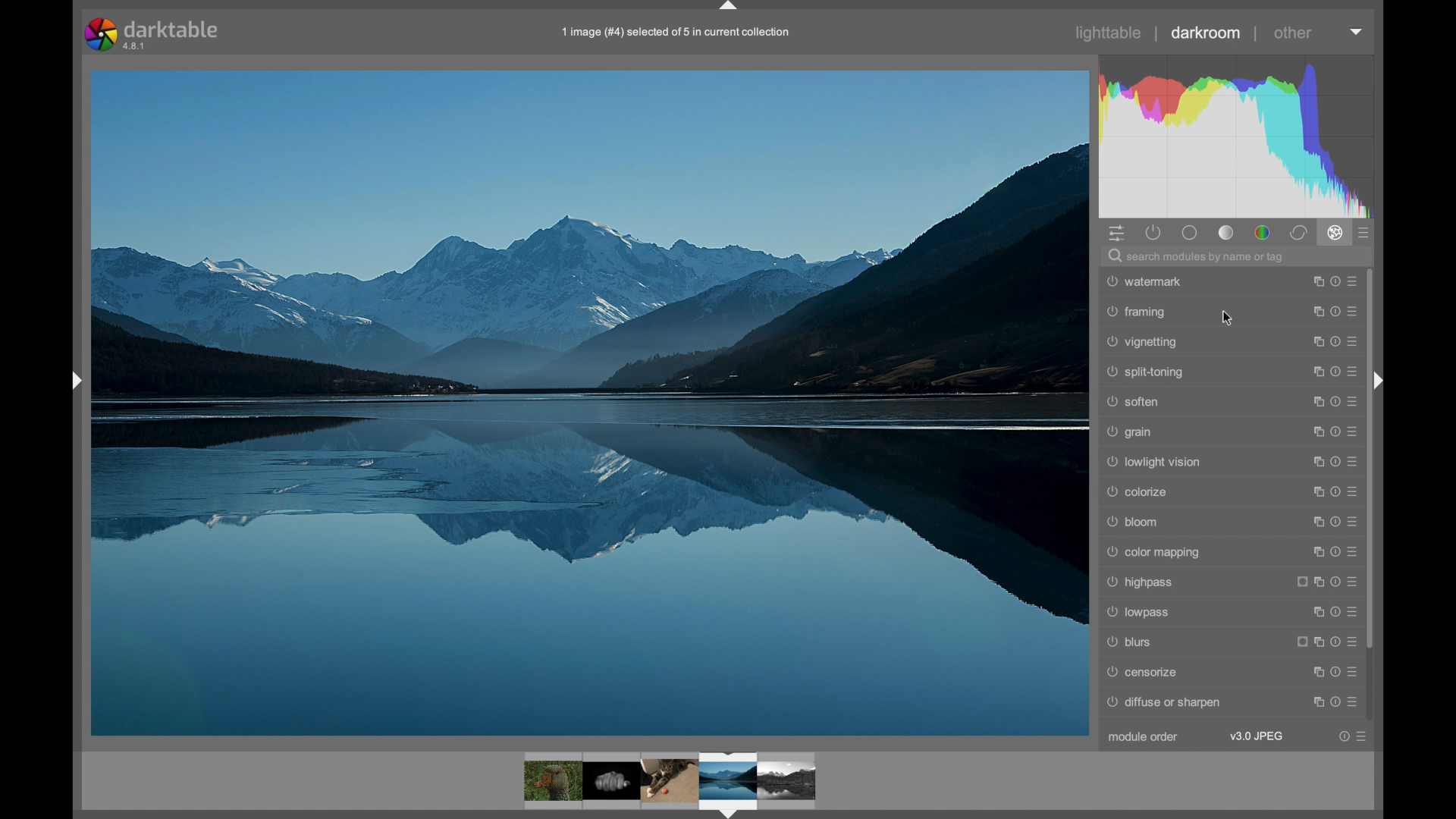 This screenshot has height=819, width=1456. What do you see at coordinates (1227, 234) in the screenshot?
I see `base` at bounding box center [1227, 234].